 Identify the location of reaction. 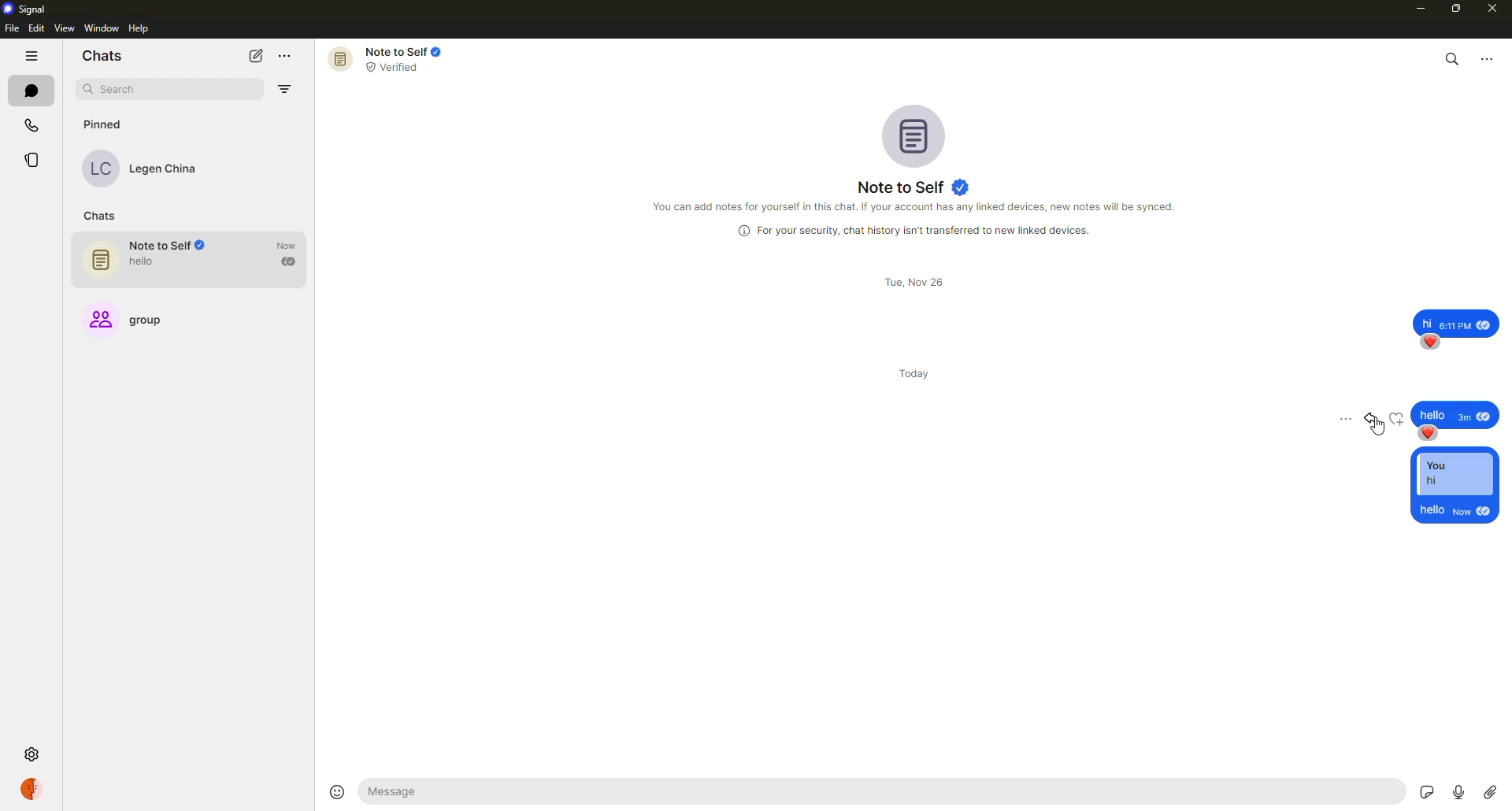
(1426, 434).